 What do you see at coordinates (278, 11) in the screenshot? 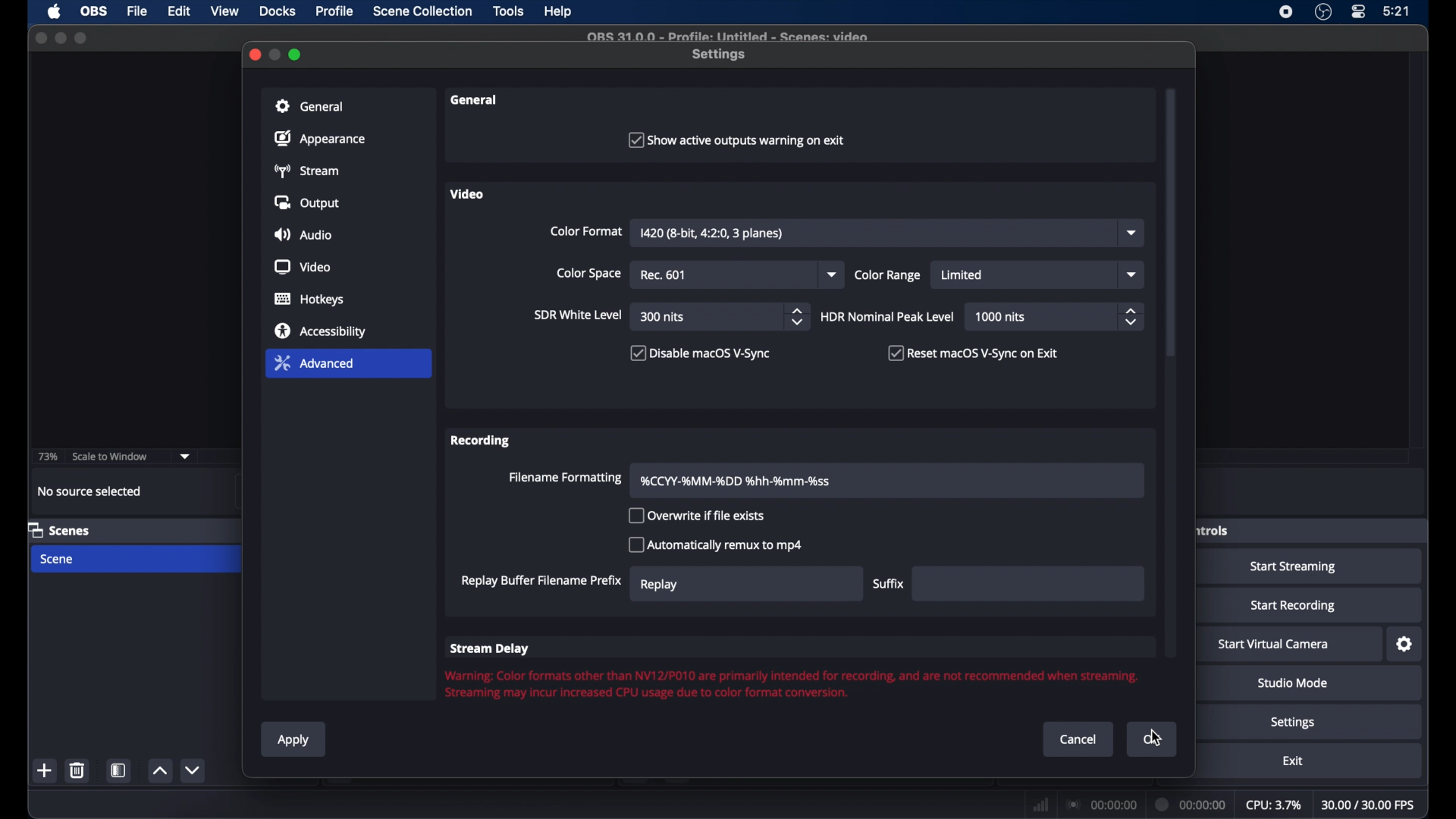
I see `docks` at bounding box center [278, 11].